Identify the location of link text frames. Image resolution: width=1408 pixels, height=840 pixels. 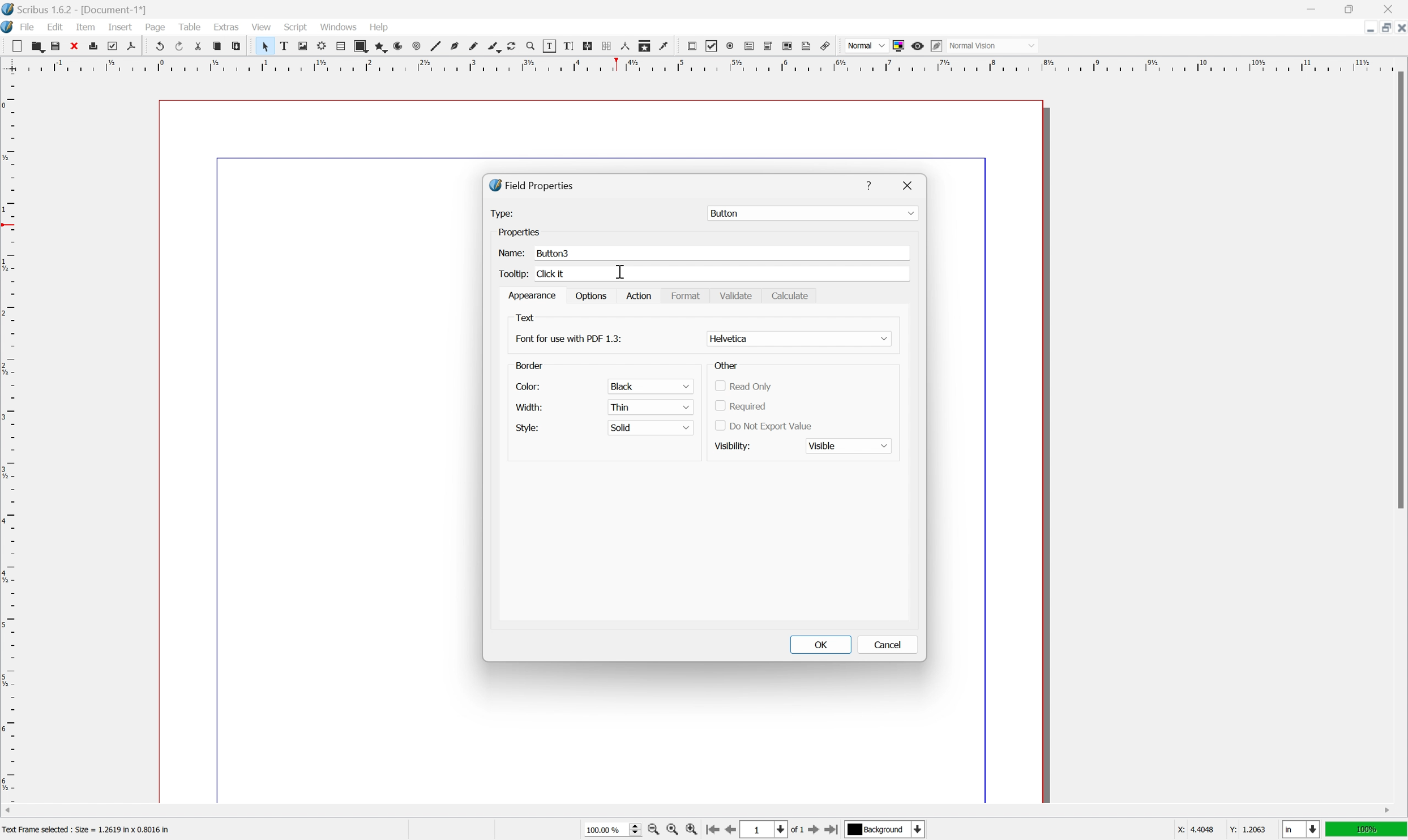
(588, 45).